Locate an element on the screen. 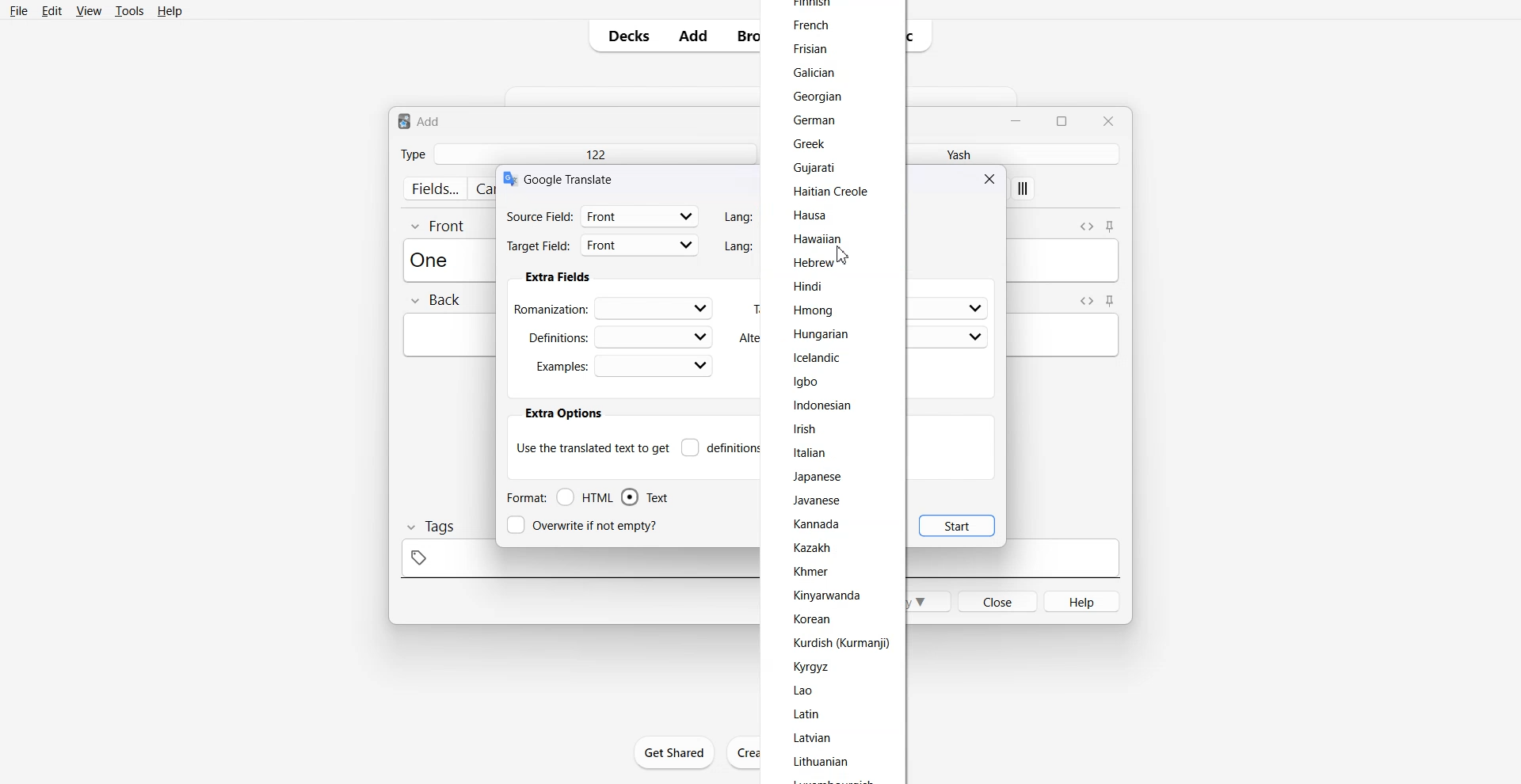 Image resolution: width=1521 pixels, height=784 pixels. Kurdish (Kurmanji) is located at coordinates (840, 643).